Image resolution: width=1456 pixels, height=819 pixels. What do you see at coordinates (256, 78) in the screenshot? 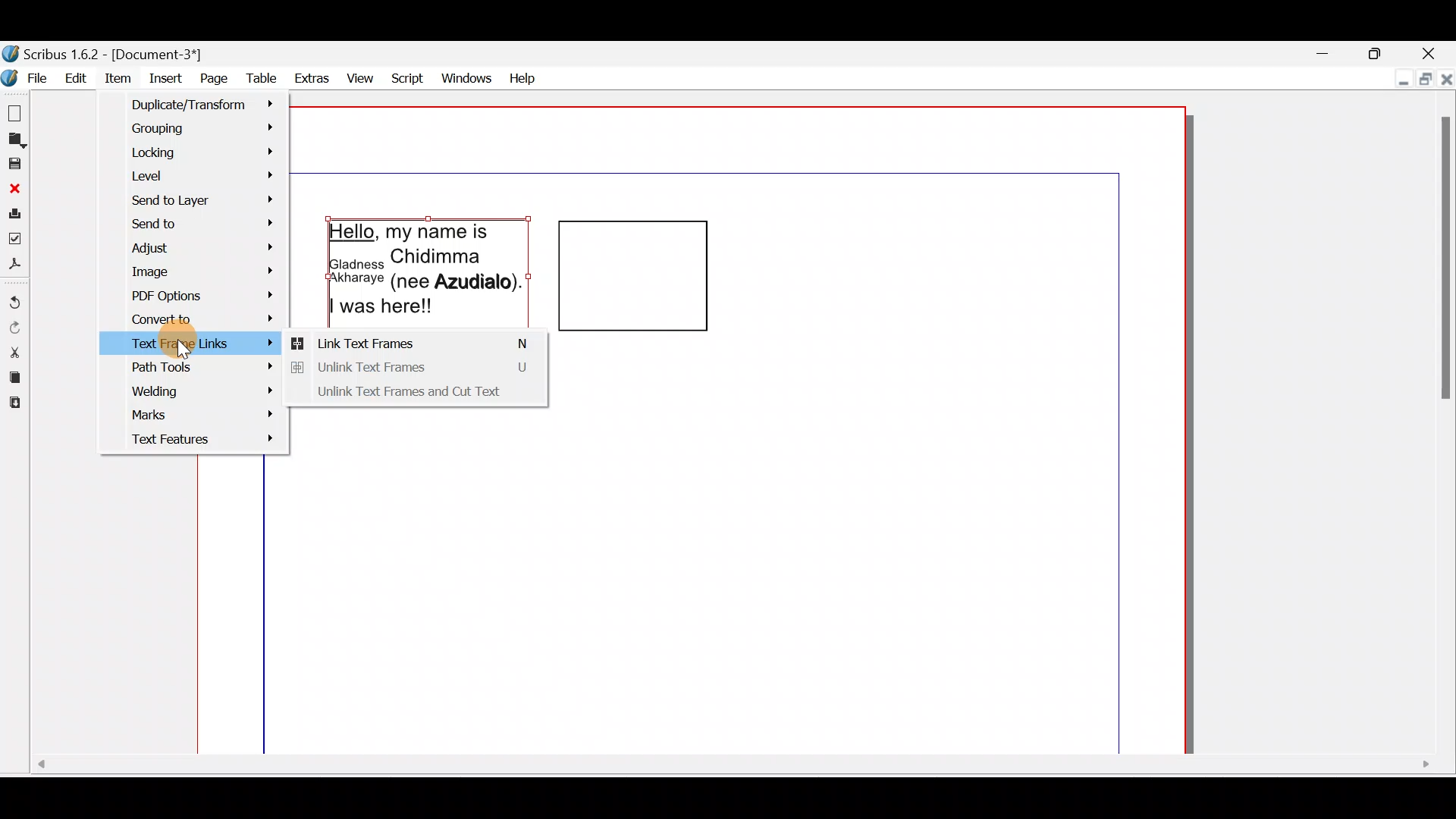
I see `Table` at bounding box center [256, 78].